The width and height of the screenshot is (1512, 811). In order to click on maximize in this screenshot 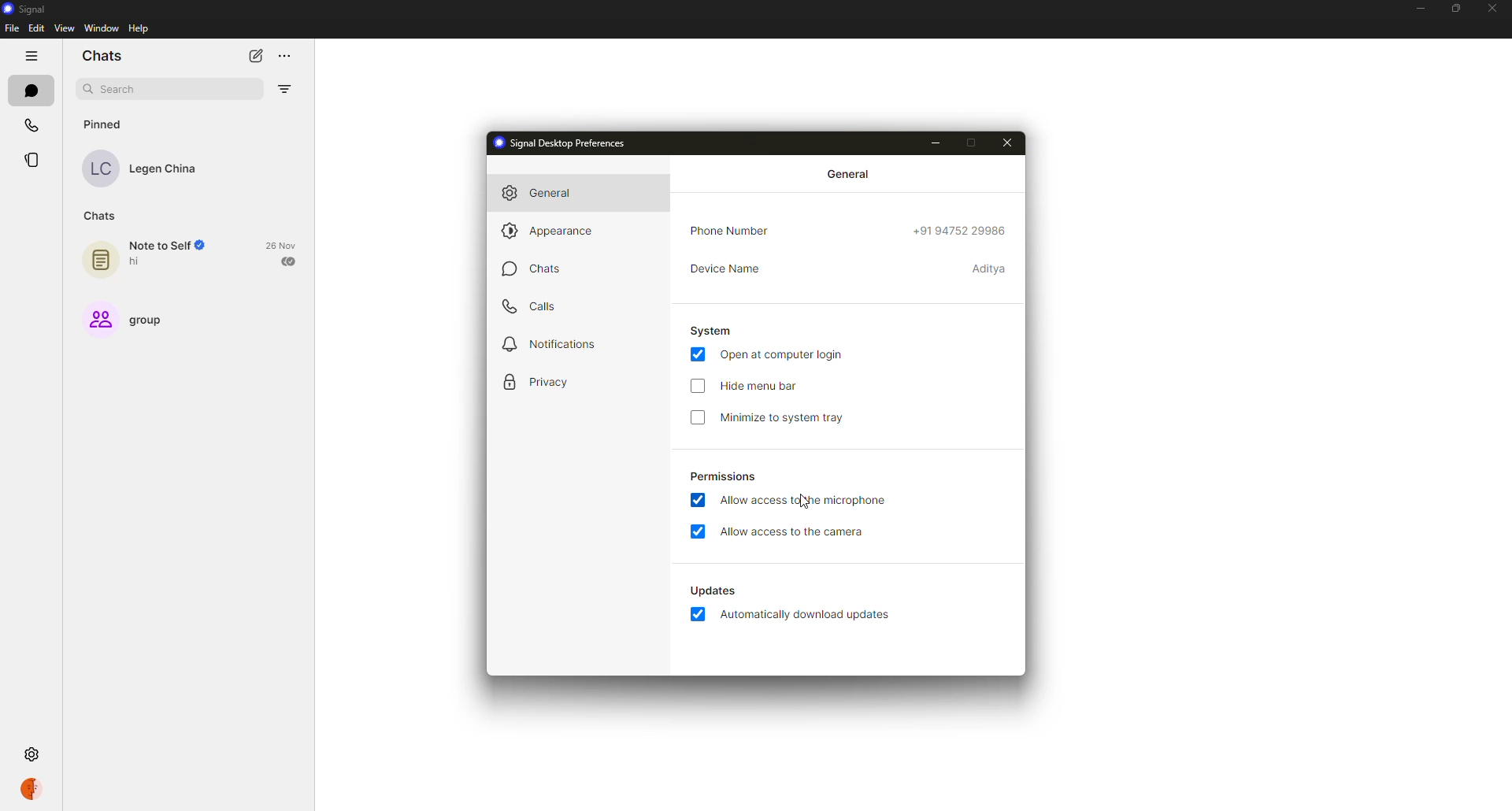, I will do `click(976, 143)`.